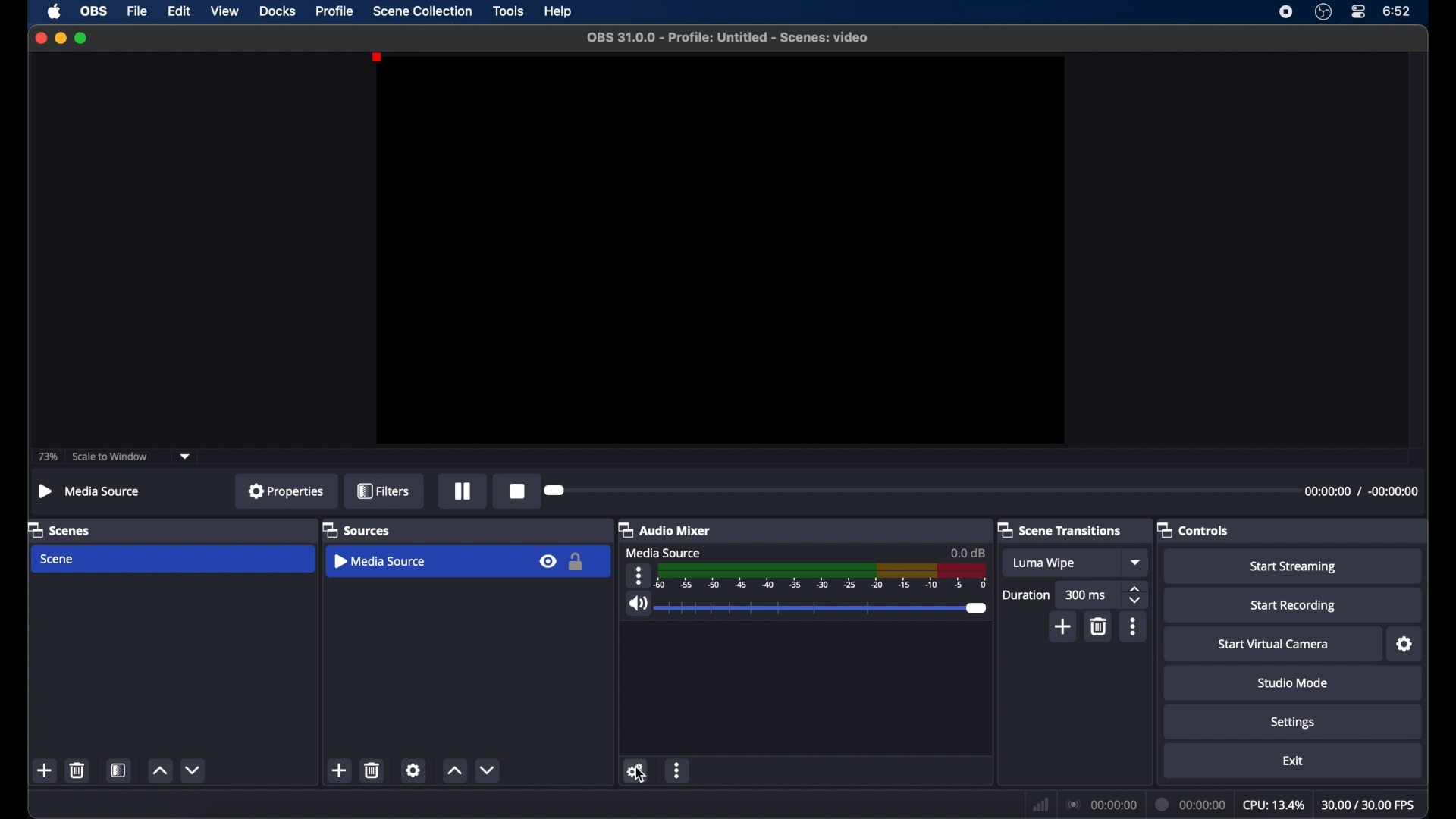 The height and width of the screenshot is (819, 1456). Describe the element at coordinates (519, 491) in the screenshot. I see `record` at that location.